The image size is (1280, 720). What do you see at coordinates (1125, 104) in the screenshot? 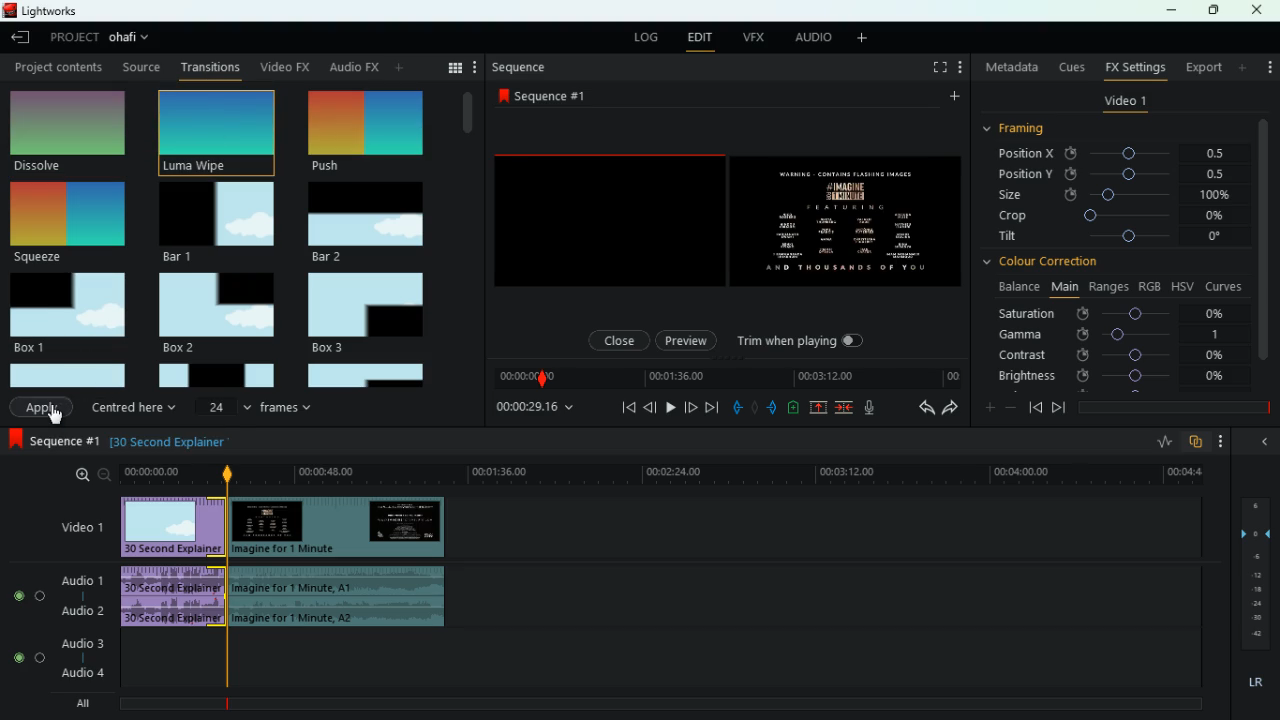
I see `video 1` at bounding box center [1125, 104].